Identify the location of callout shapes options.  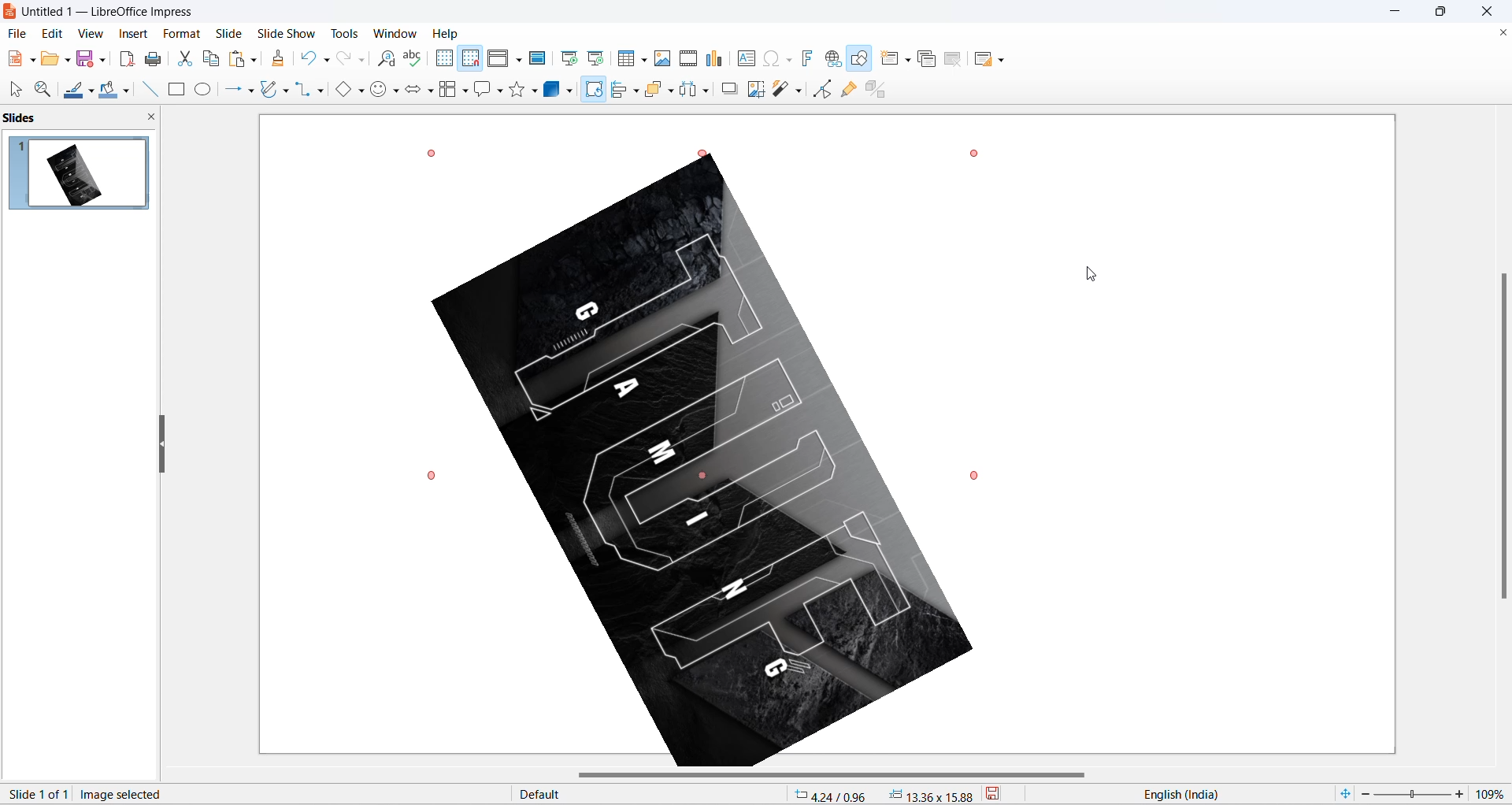
(498, 92).